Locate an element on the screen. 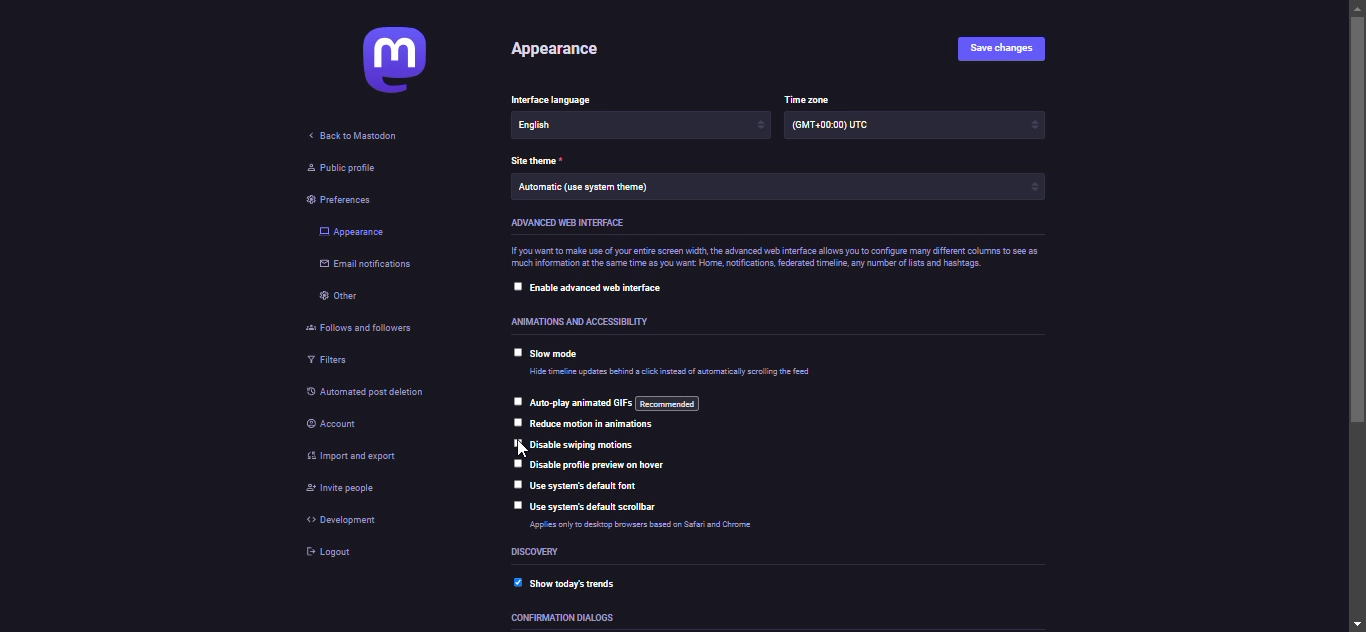  preferences is located at coordinates (349, 198).